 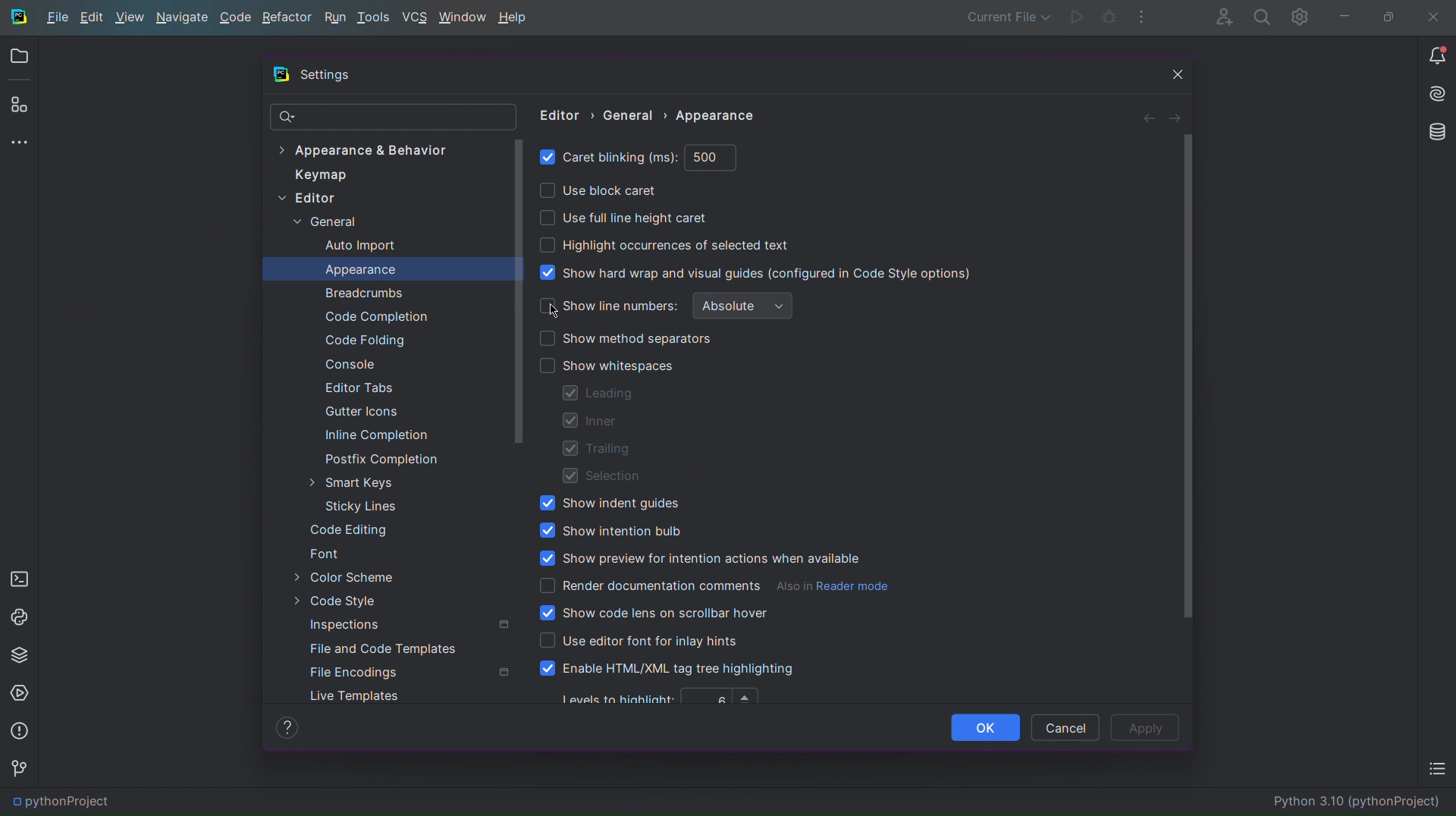 What do you see at coordinates (623, 217) in the screenshot?
I see `Use full line height caret` at bounding box center [623, 217].